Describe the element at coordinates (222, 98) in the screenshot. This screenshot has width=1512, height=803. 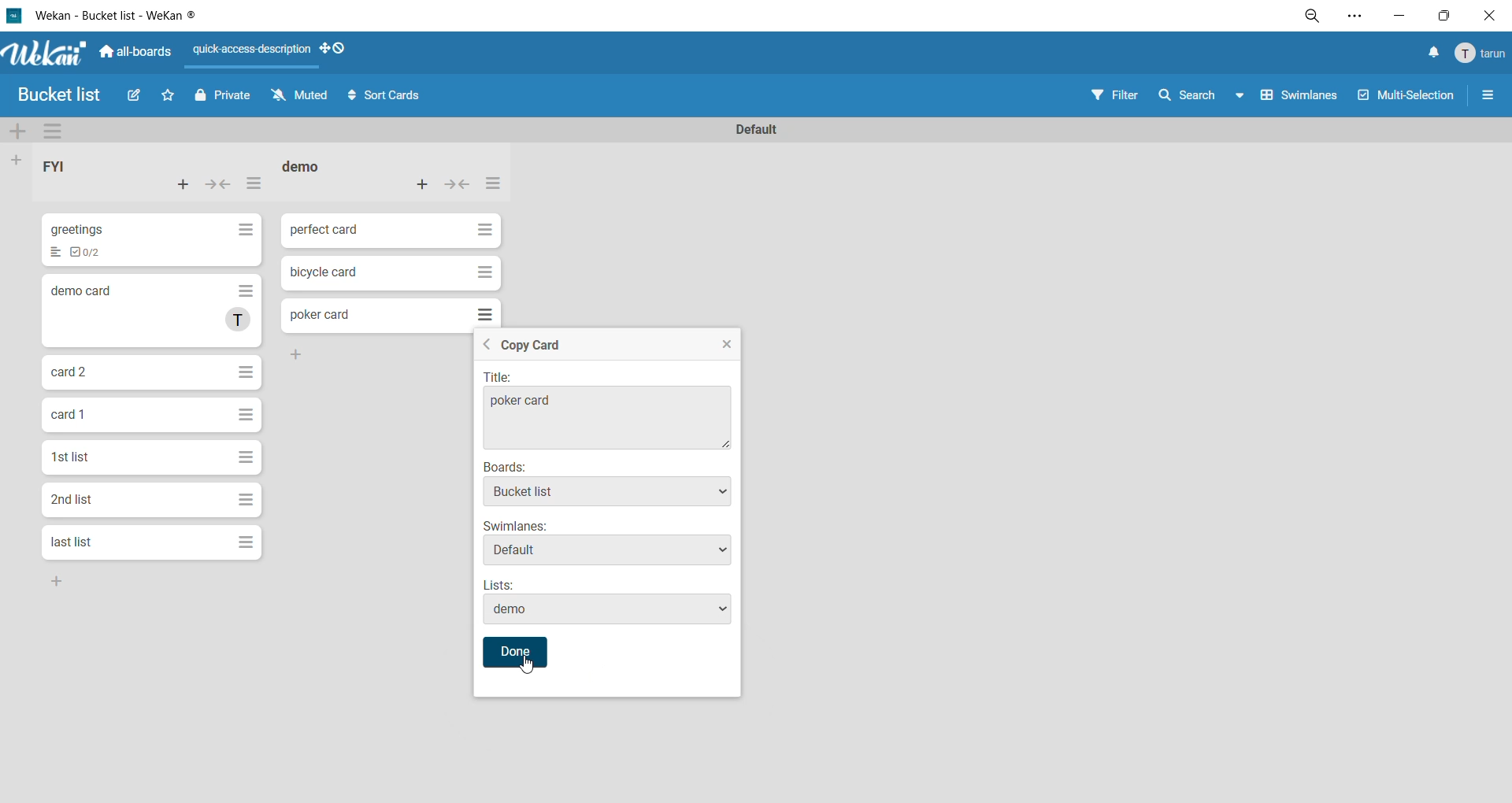
I see `private` at that location.